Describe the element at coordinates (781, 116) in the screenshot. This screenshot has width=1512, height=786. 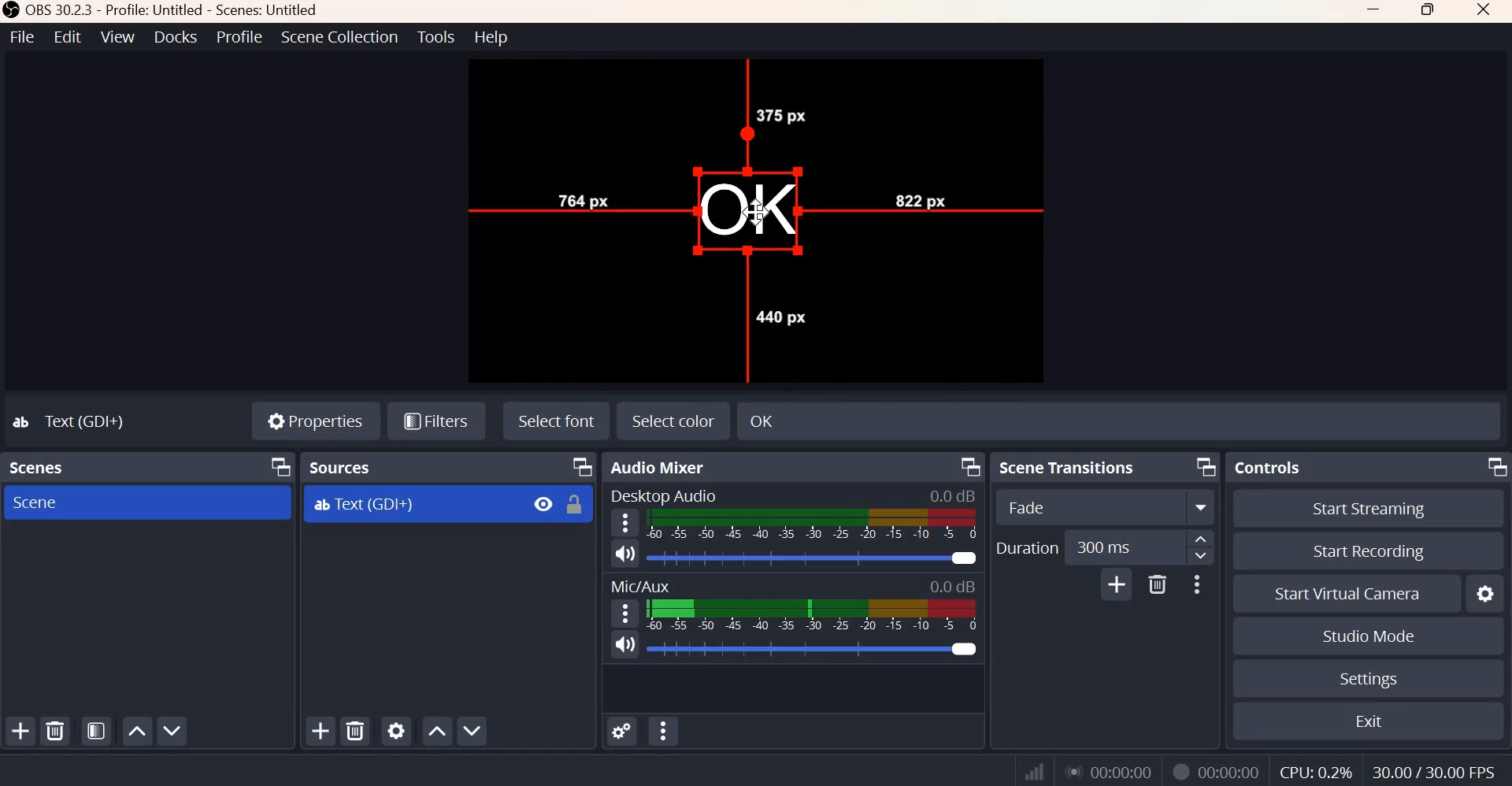
I see `375 px` at that location.